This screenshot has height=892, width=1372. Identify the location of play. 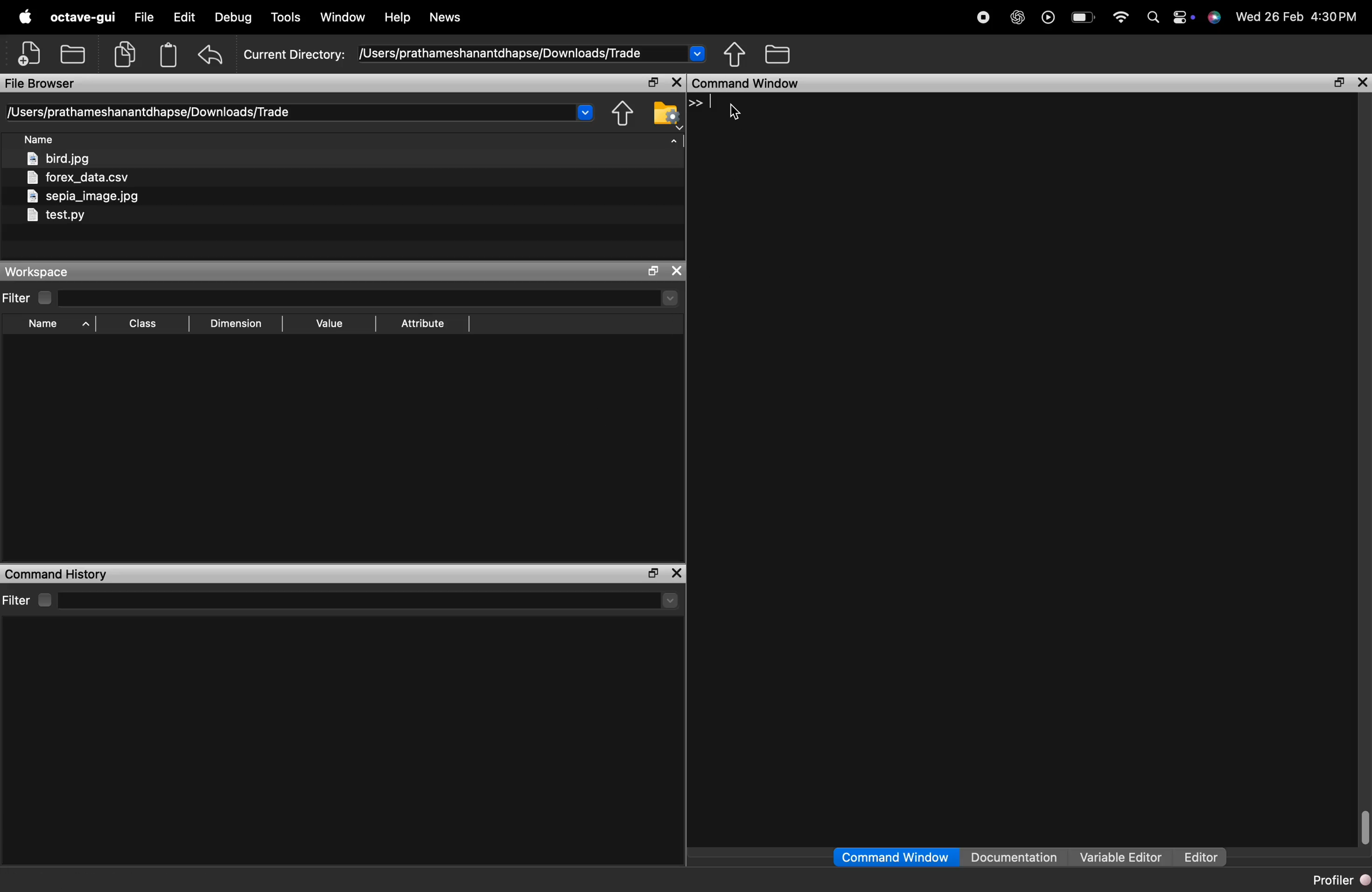
(1048, 18).